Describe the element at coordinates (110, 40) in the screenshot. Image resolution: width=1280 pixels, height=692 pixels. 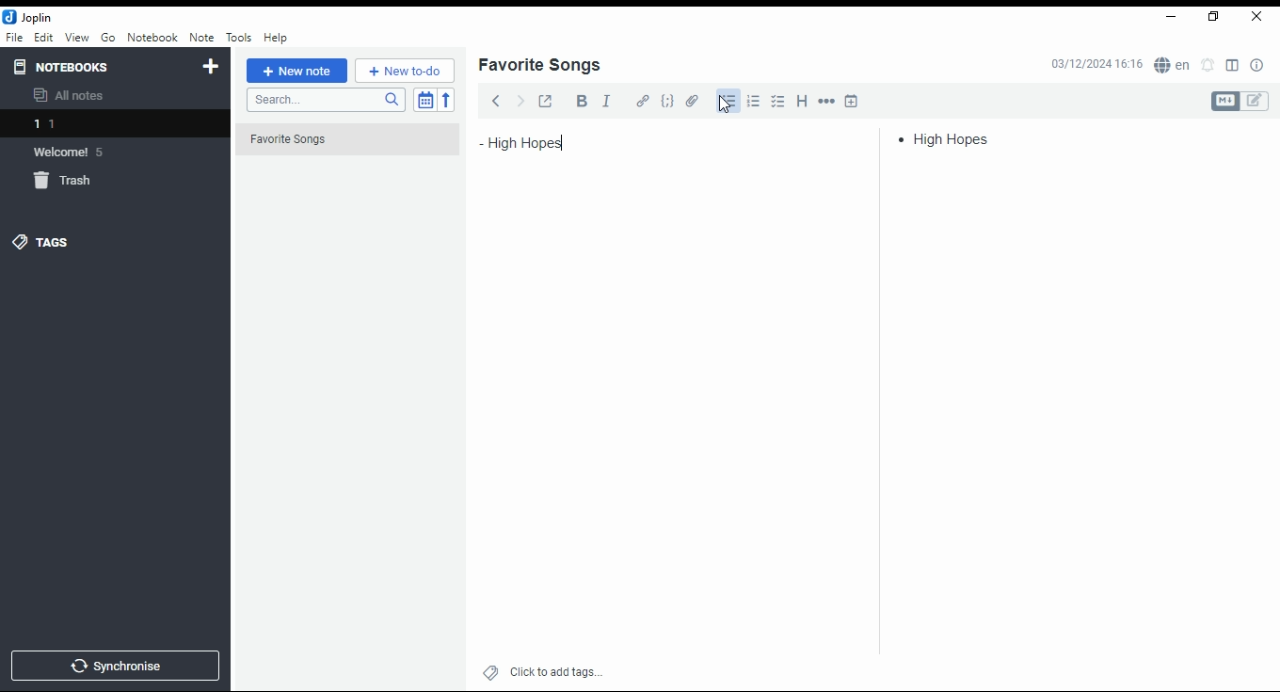
I see `go` at that location.